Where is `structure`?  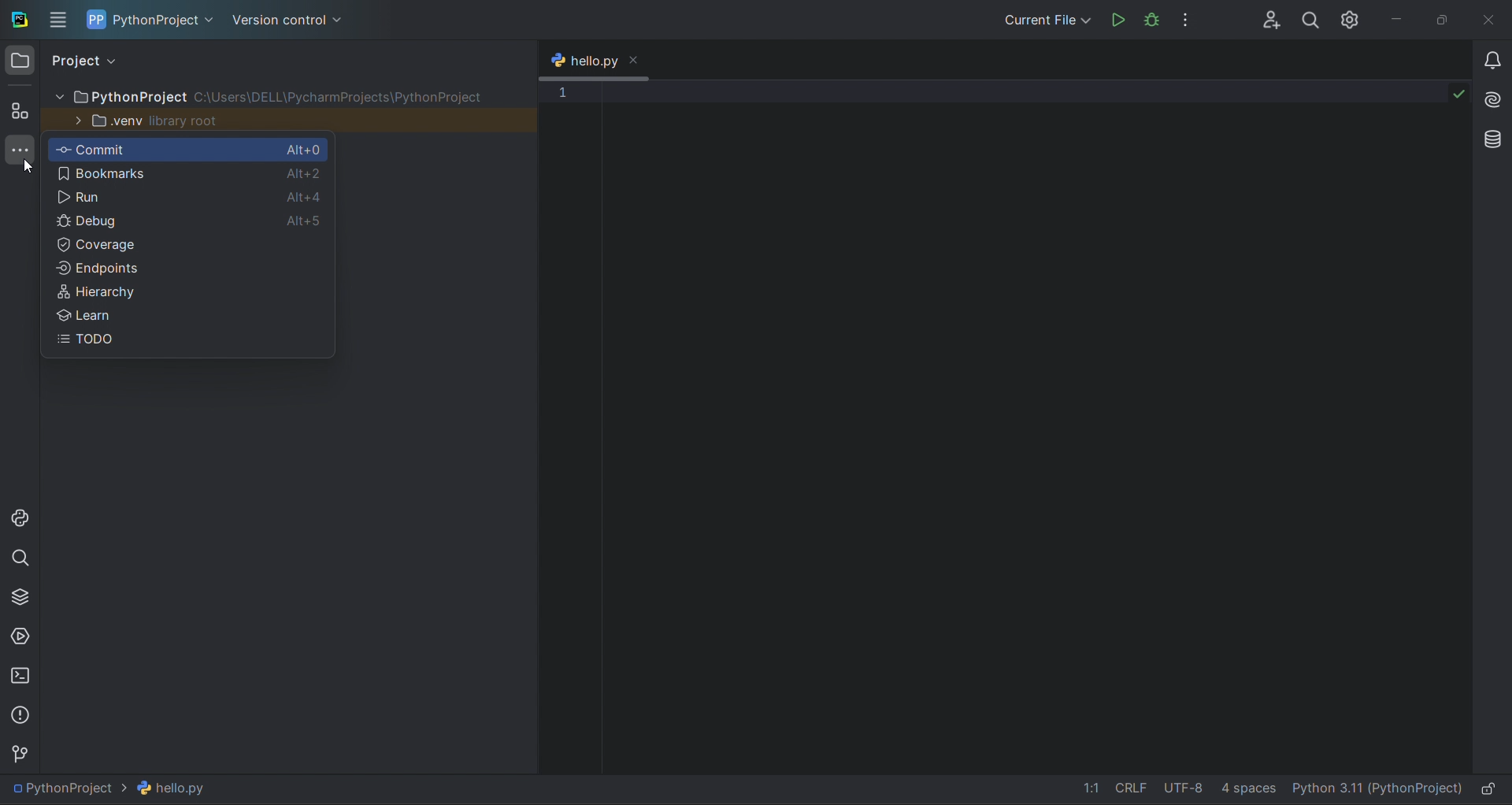
structure is located at coordinates (20, 112).